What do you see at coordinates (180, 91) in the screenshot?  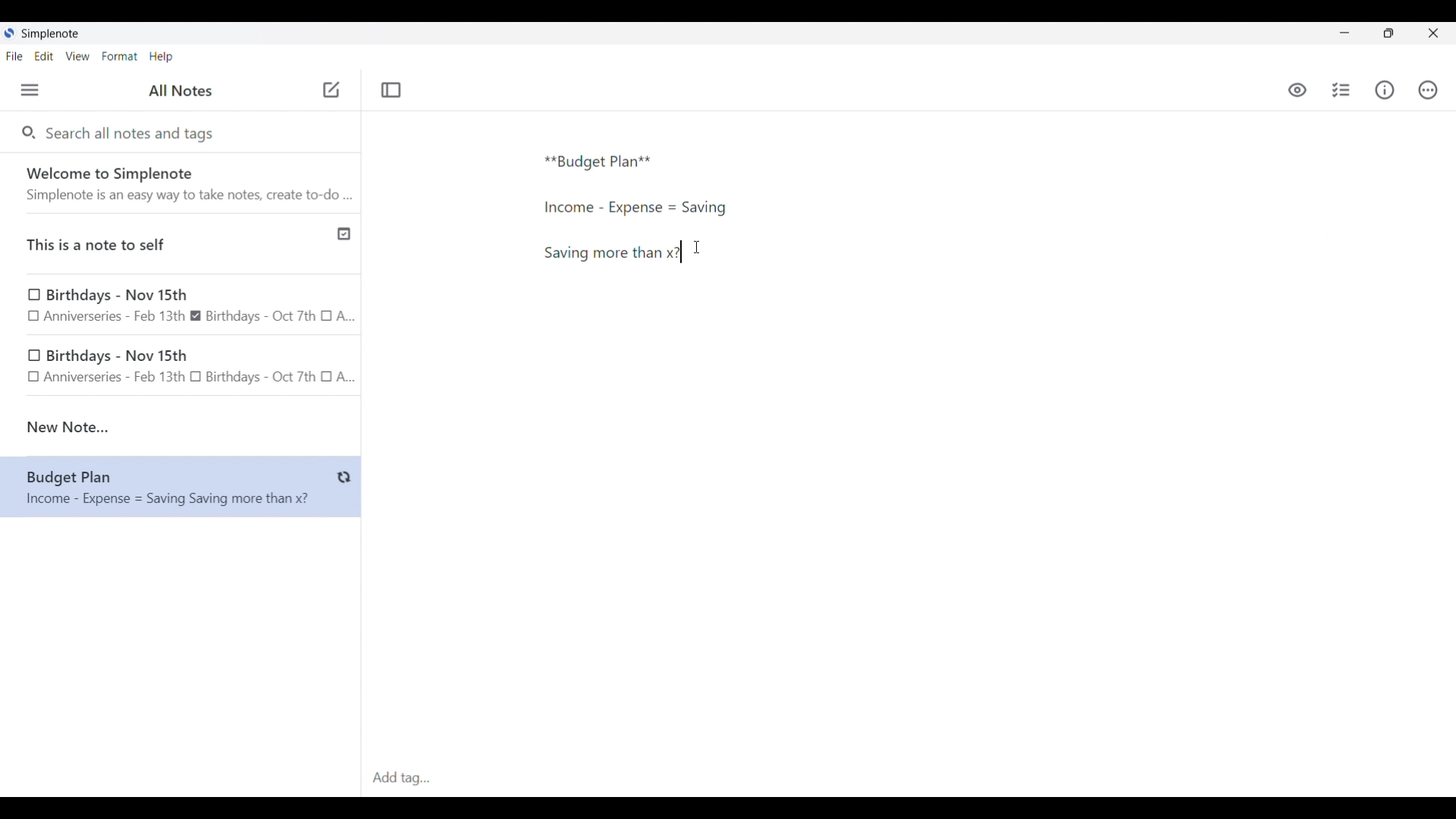 I see `Title of left side panel` at bounding box center [180, 91].